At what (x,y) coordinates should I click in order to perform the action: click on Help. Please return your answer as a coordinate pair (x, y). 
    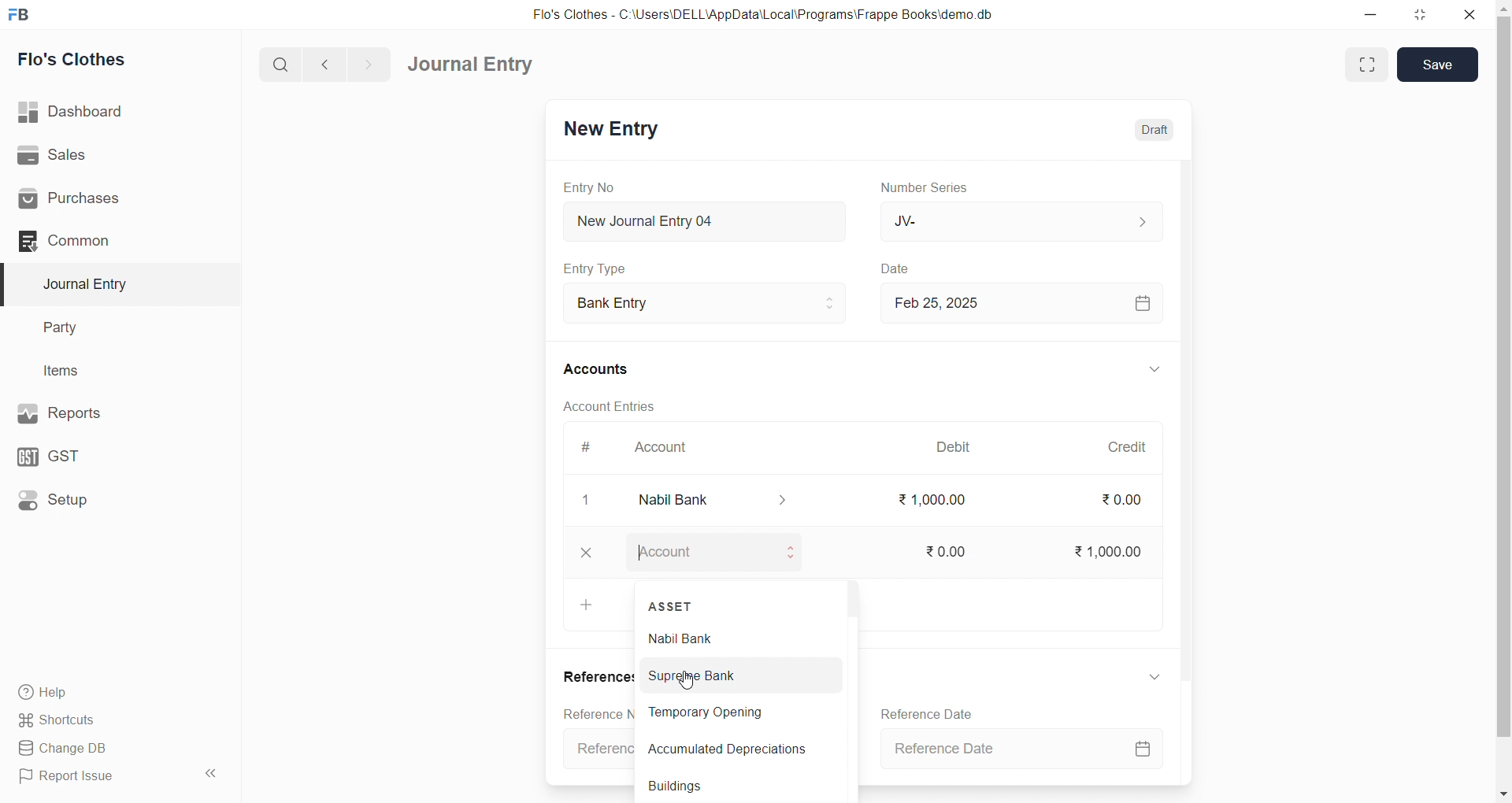
    Looking at the image, I should click on (114, 691).